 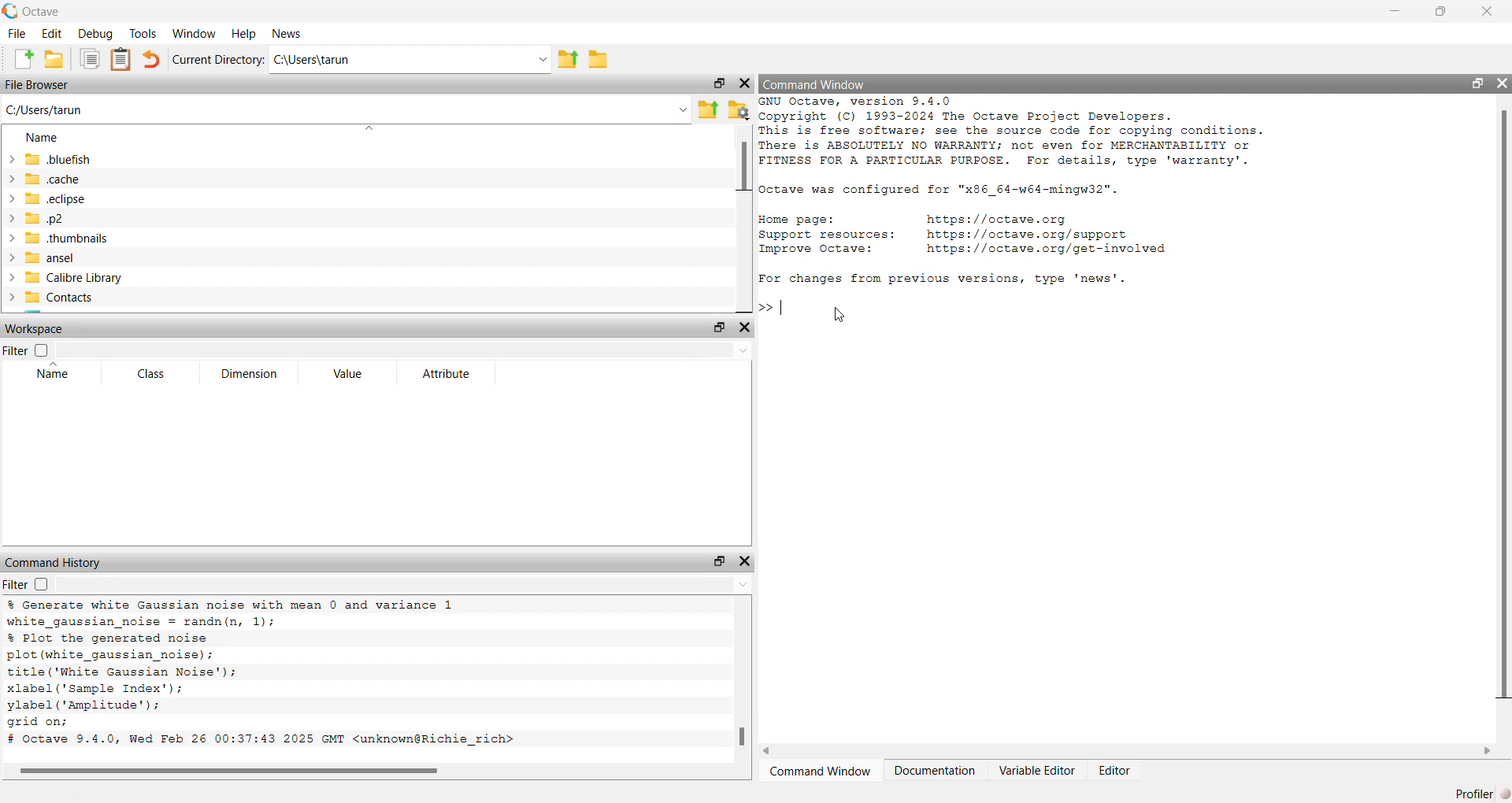 I want to click on Documentation , so click(x=938, y=772).